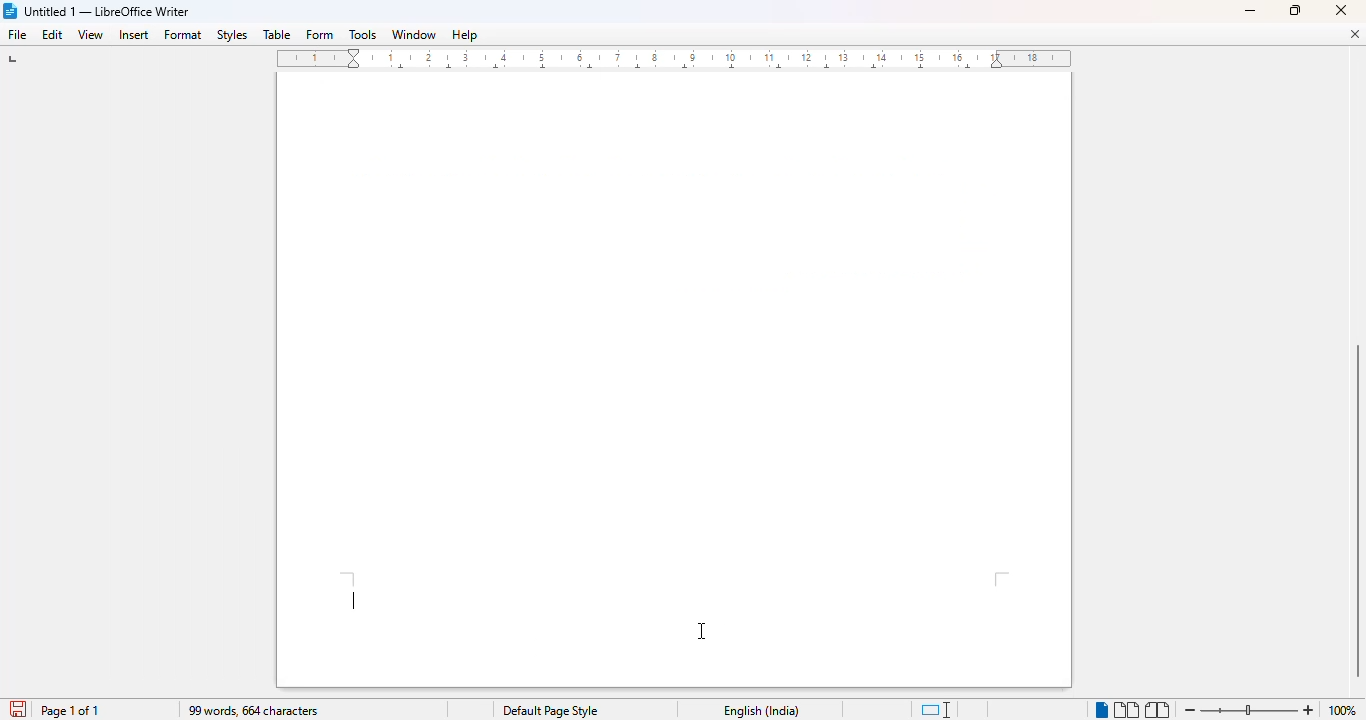 Image resolution: width=1366 pixels, height=720 pixels. I want to click on typing footnote text, so click(354, 600).